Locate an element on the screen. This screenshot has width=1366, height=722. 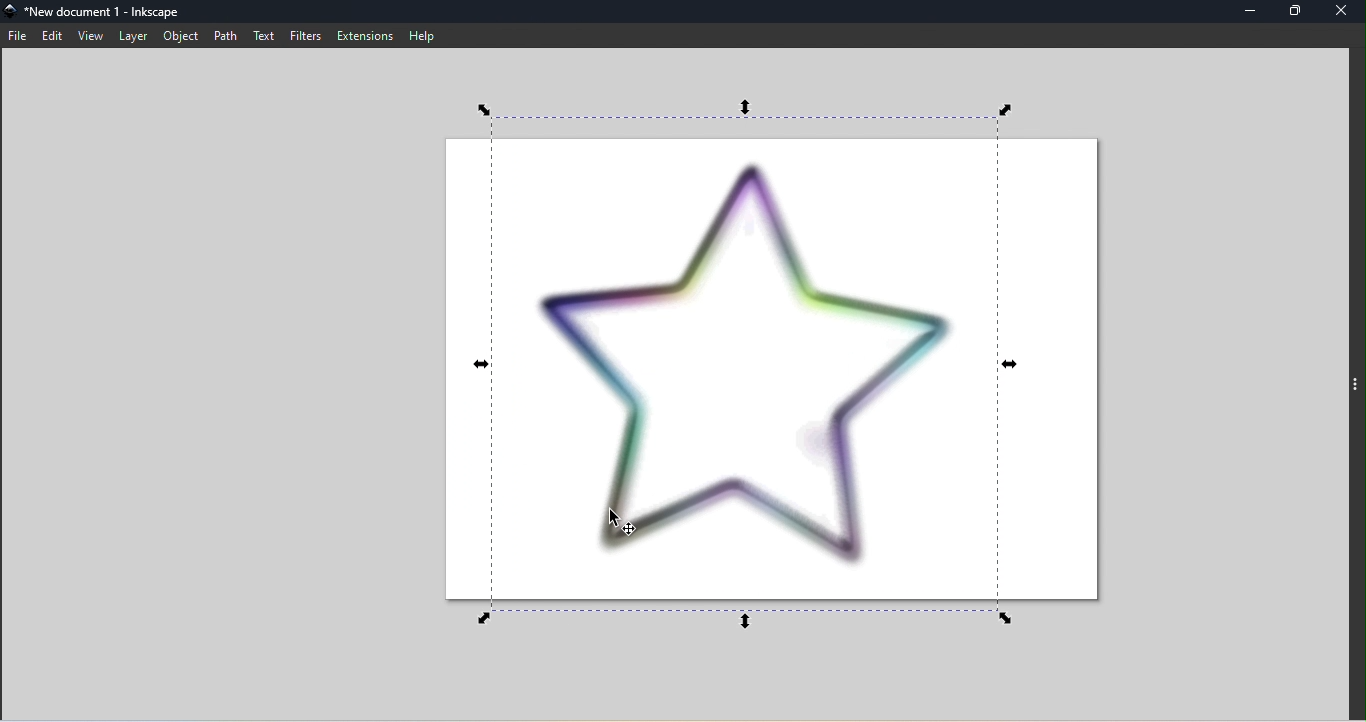
Help is located at coordinates (424, 36).